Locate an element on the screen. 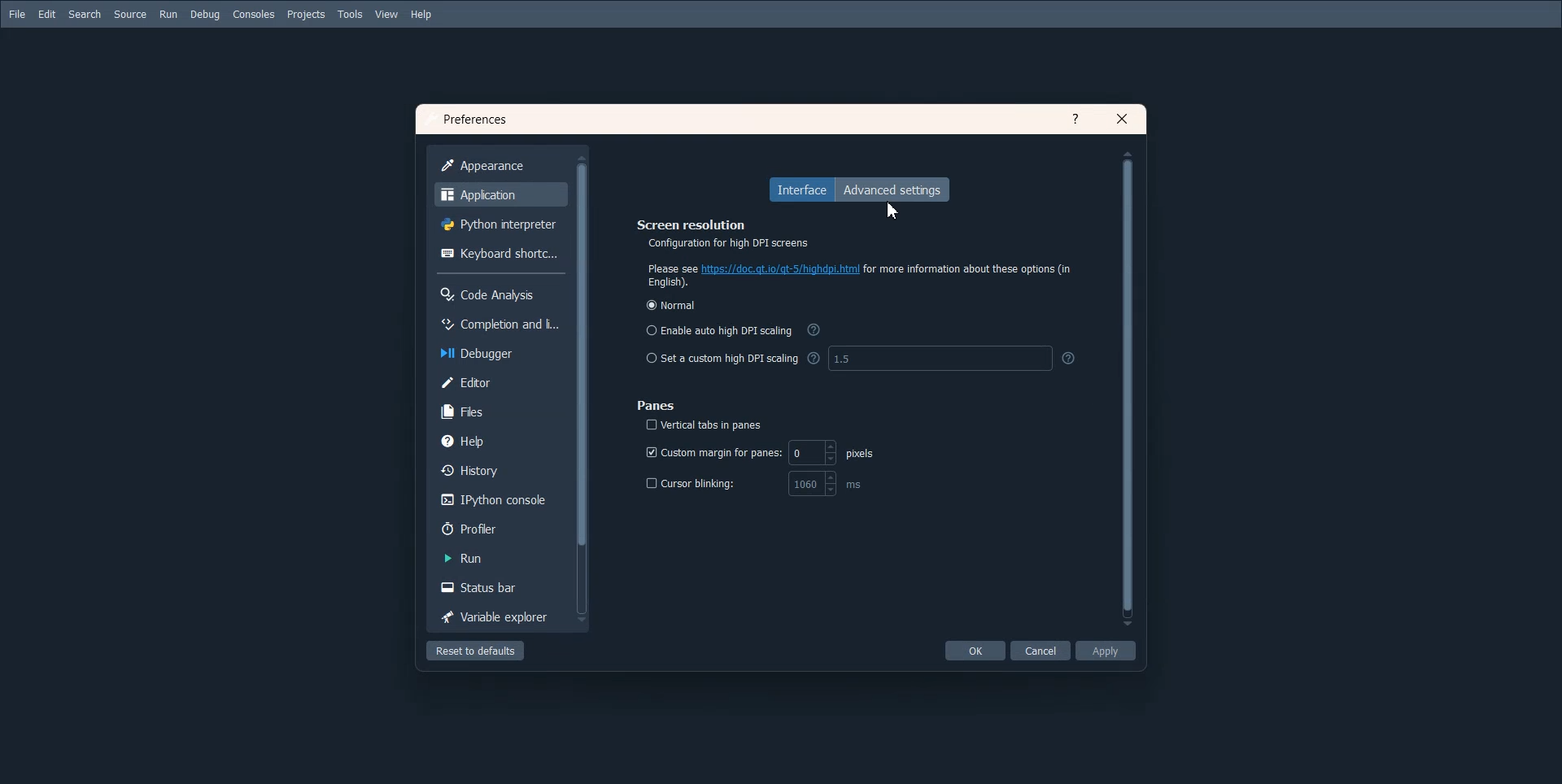 The image size is (1562, 784). Profiler is located at coordinates (498, 527).